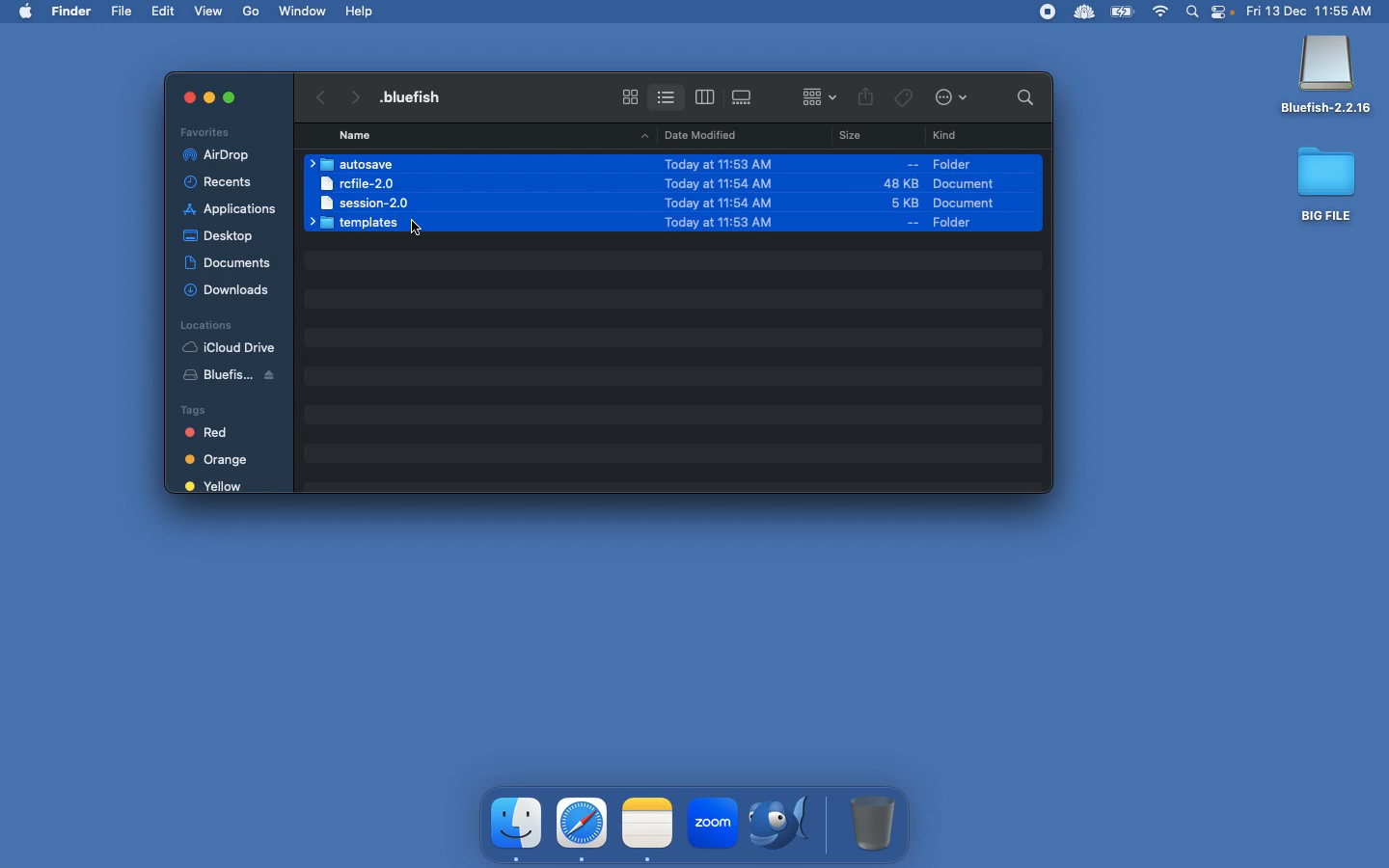 The width and height of the screenshot is (1389, 868). Describe the element at coordinates (423, 234) in the screenshot. I see `cursor select all` at that location.